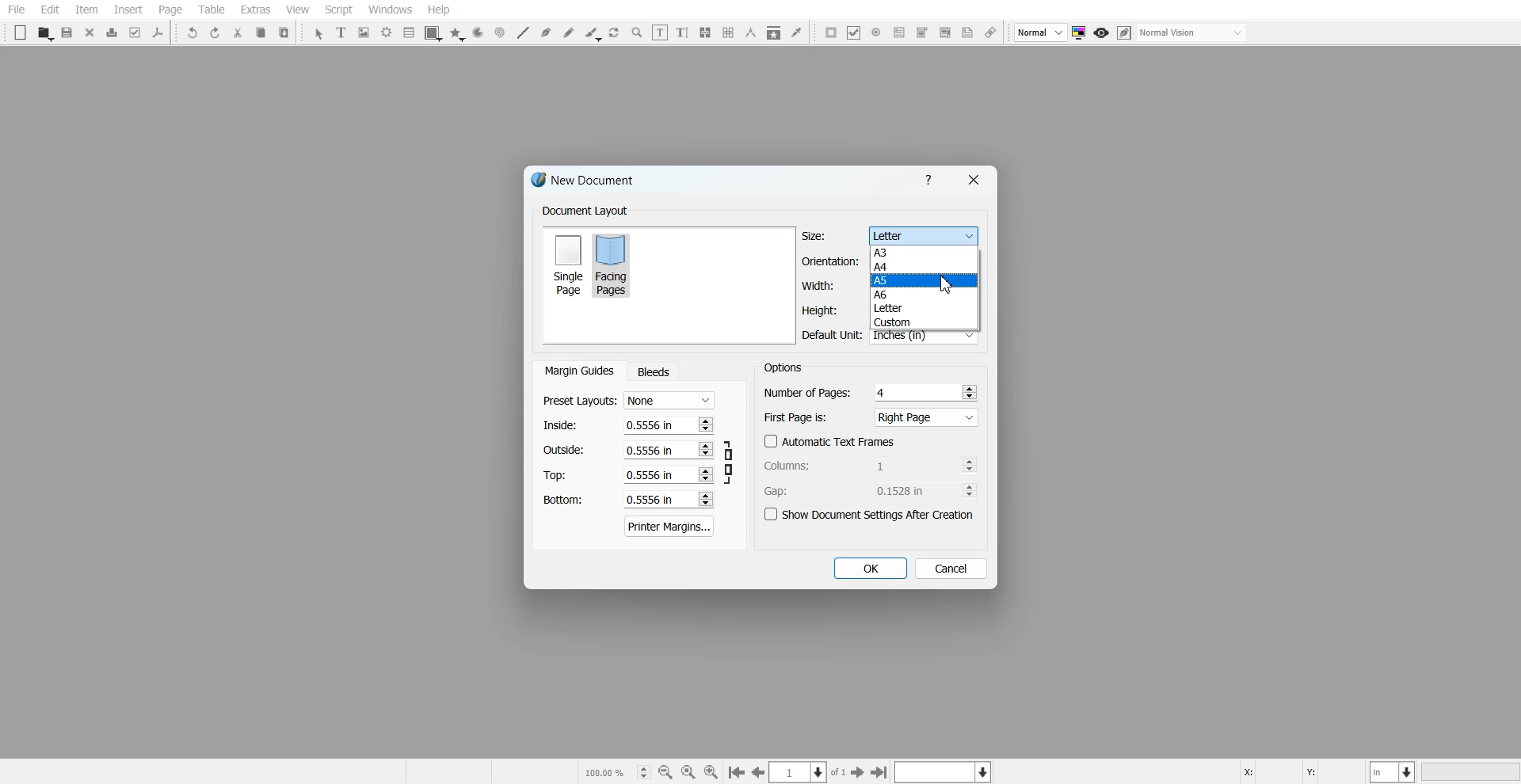 This screenshot has height=784, width=1521. I want to click on Arc, so click(478, 33).